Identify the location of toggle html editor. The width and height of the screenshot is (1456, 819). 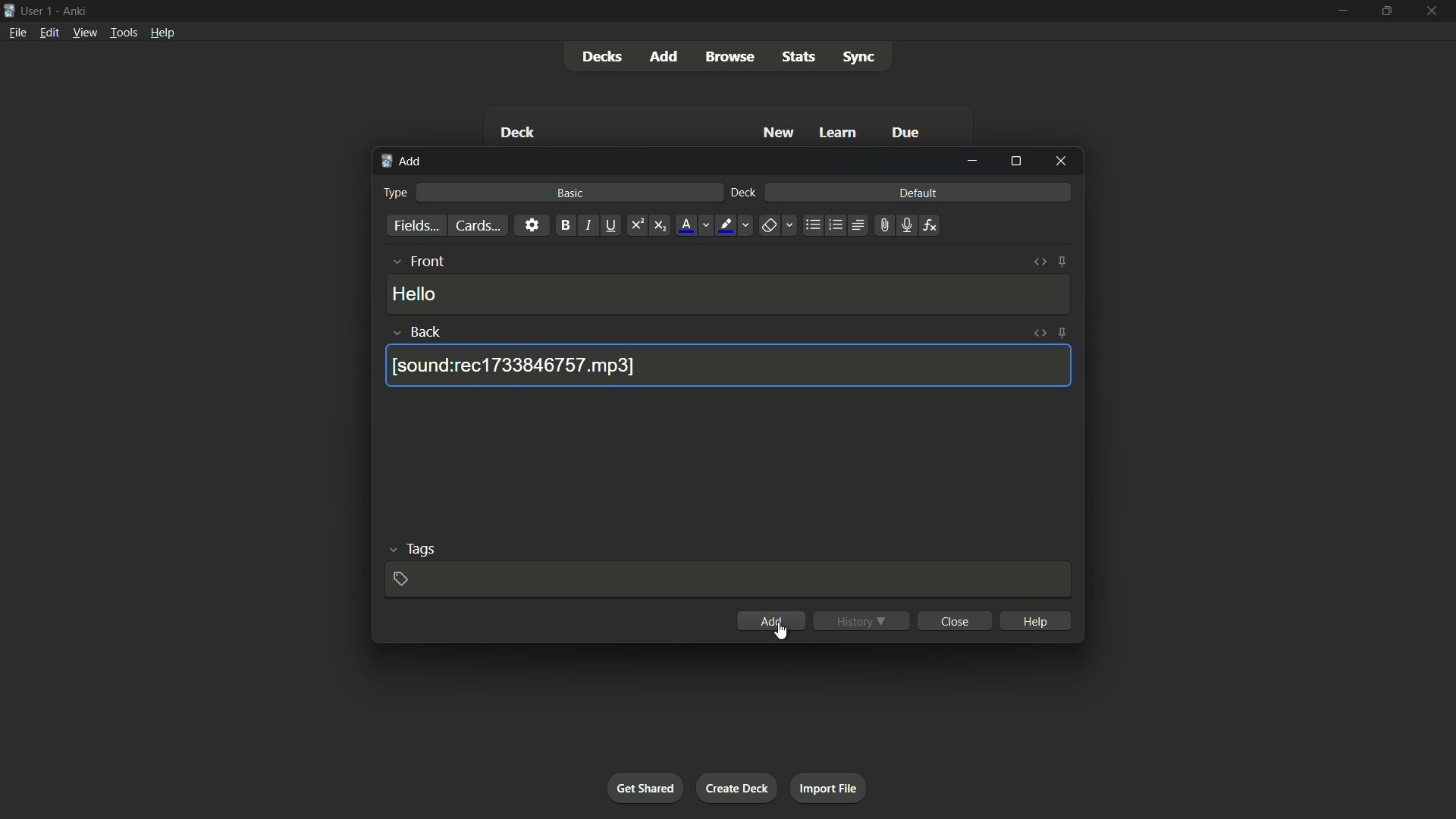
(1039, 333).